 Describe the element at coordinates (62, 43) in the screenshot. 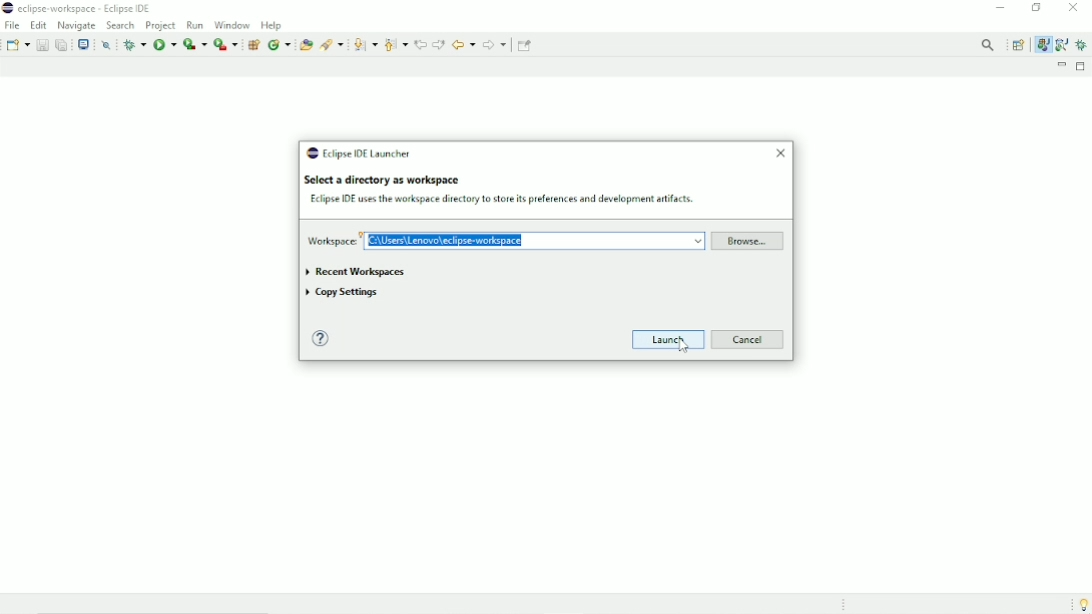

I see `Save all` at that location.